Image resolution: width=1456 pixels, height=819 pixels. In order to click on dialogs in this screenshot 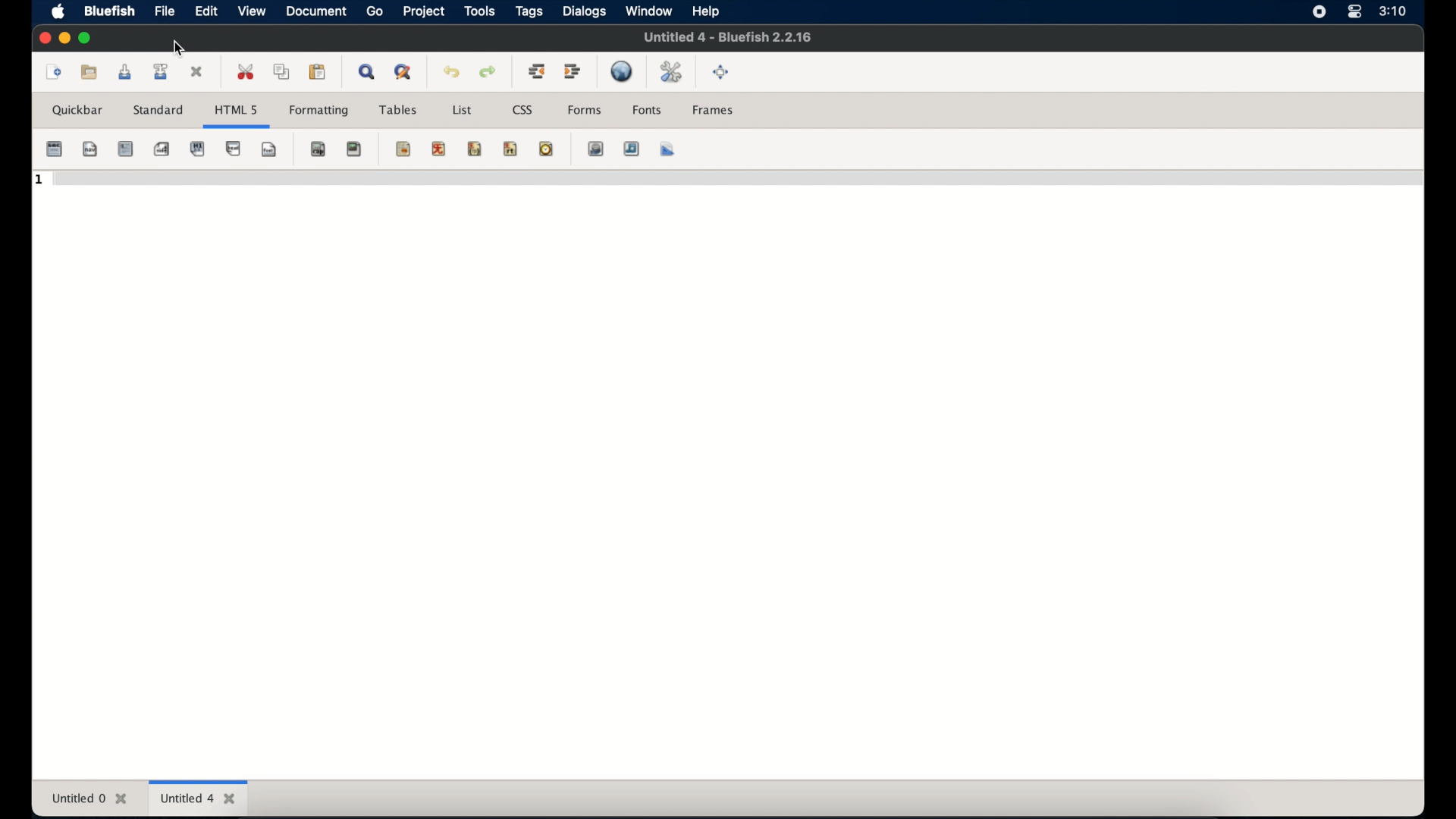, I will do `click(584, 11)`.